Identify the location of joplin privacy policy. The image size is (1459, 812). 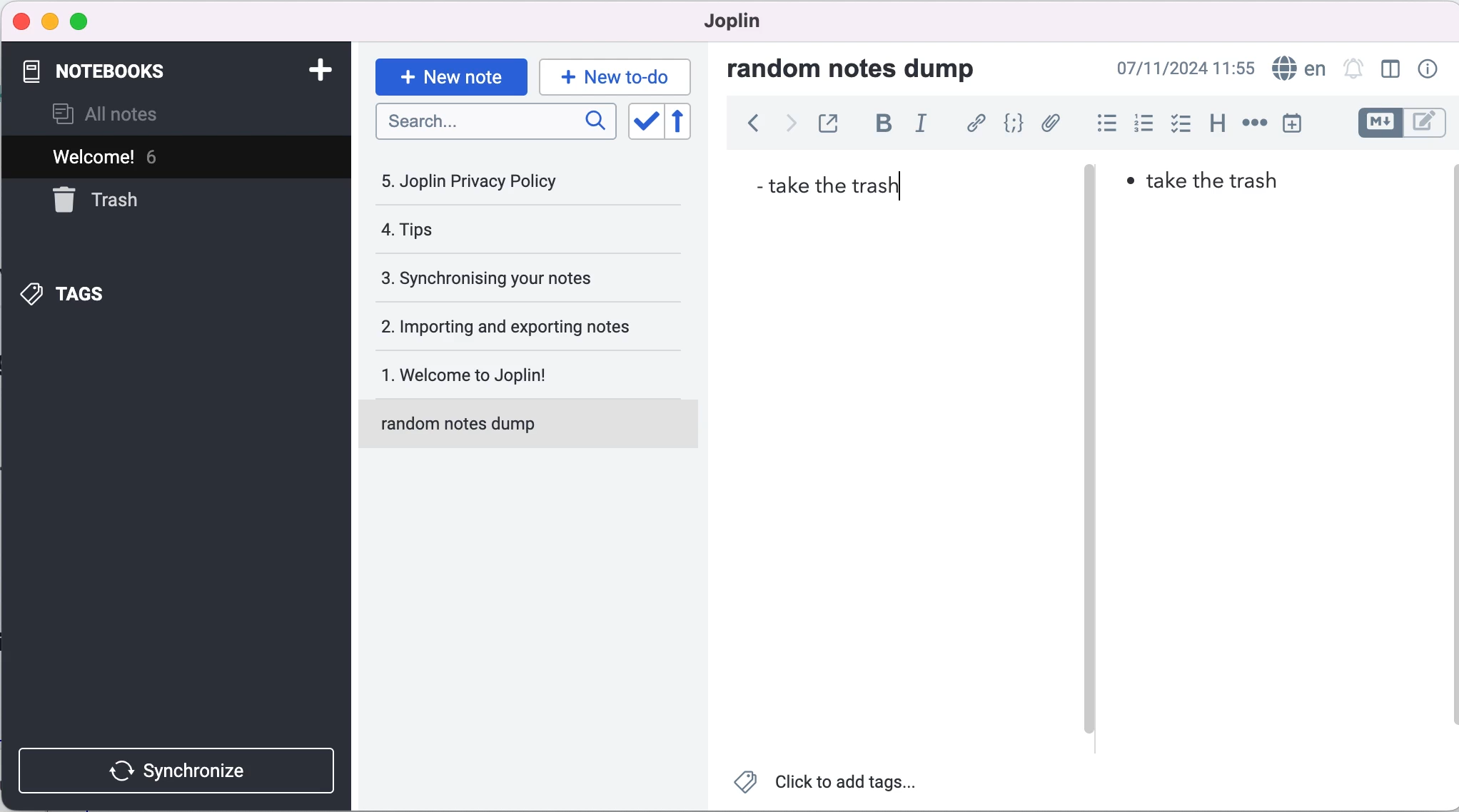
(486, 181).